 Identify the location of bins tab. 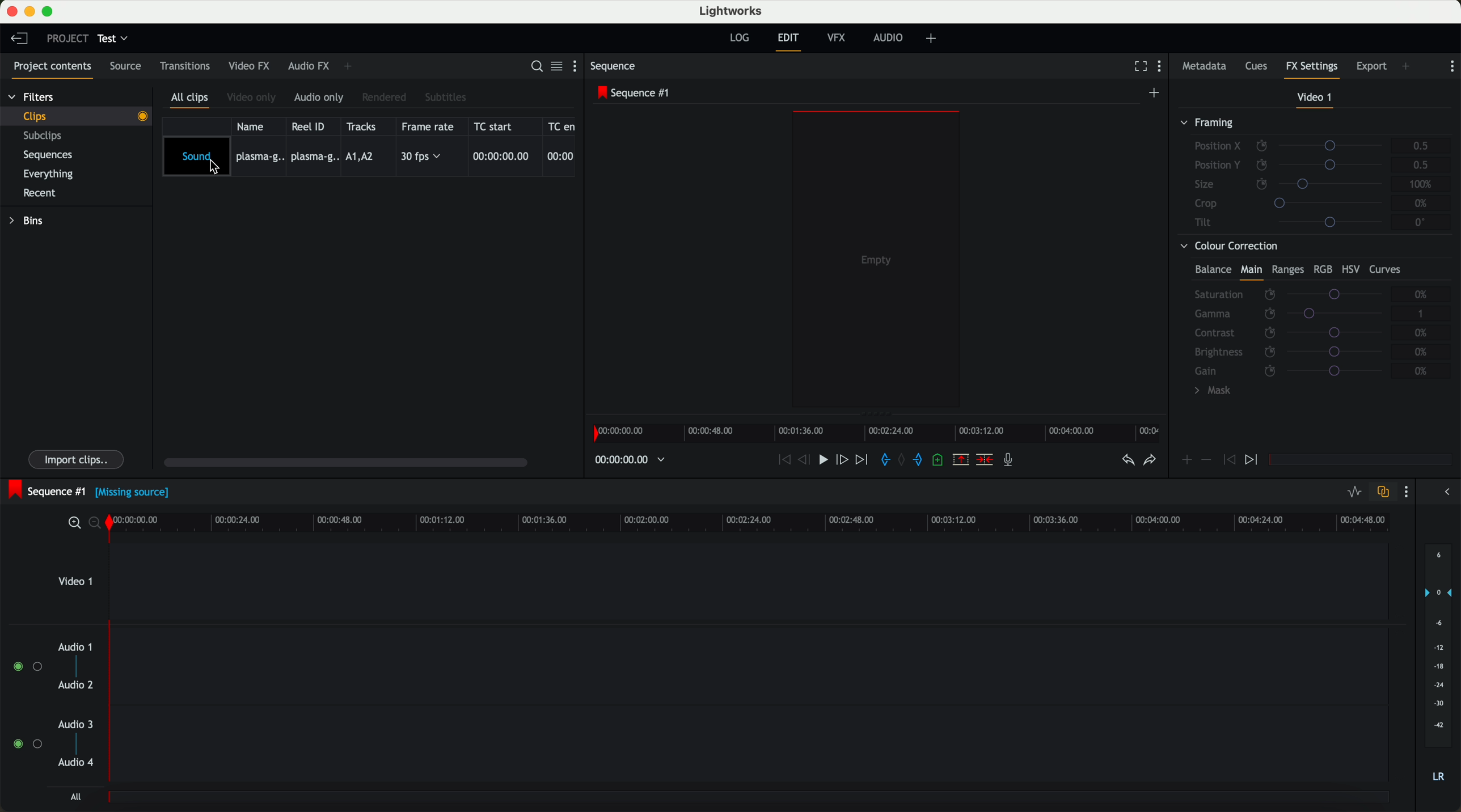
(30, 222).